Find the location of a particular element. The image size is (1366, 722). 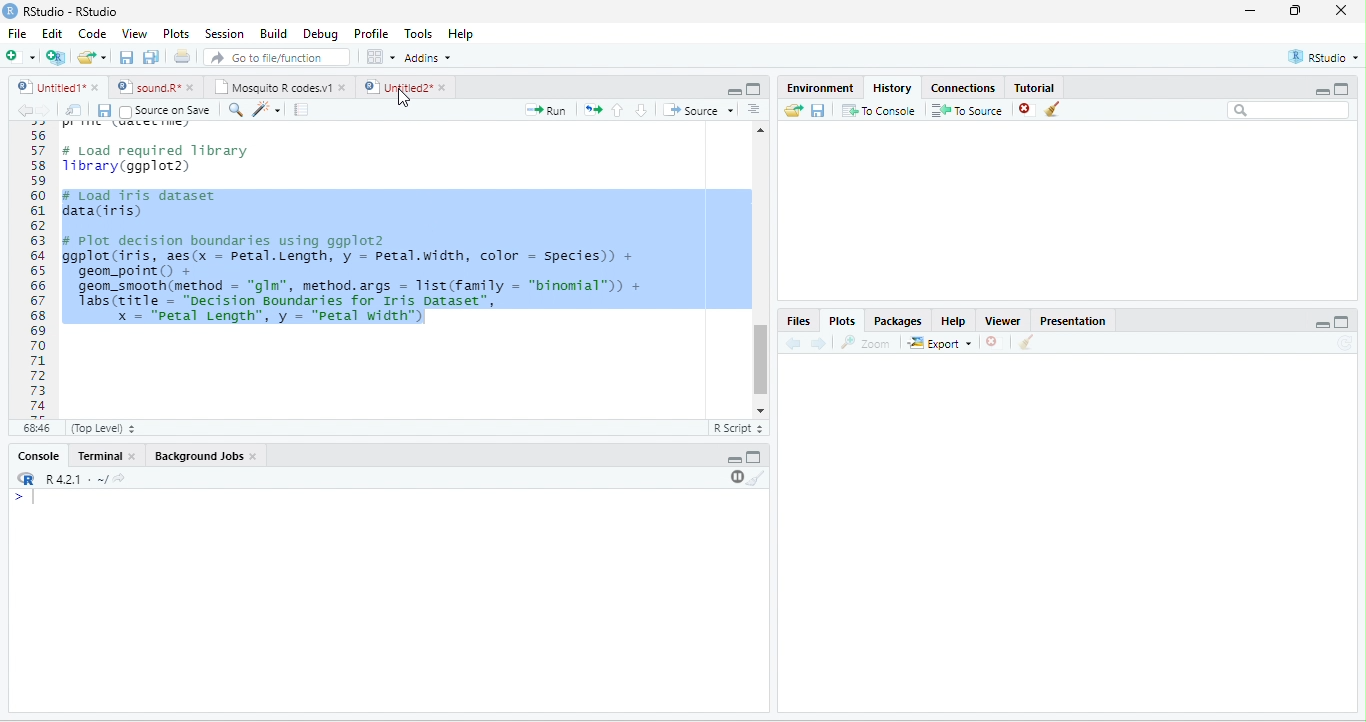

Line numbering is located at coordinates (37, 270).